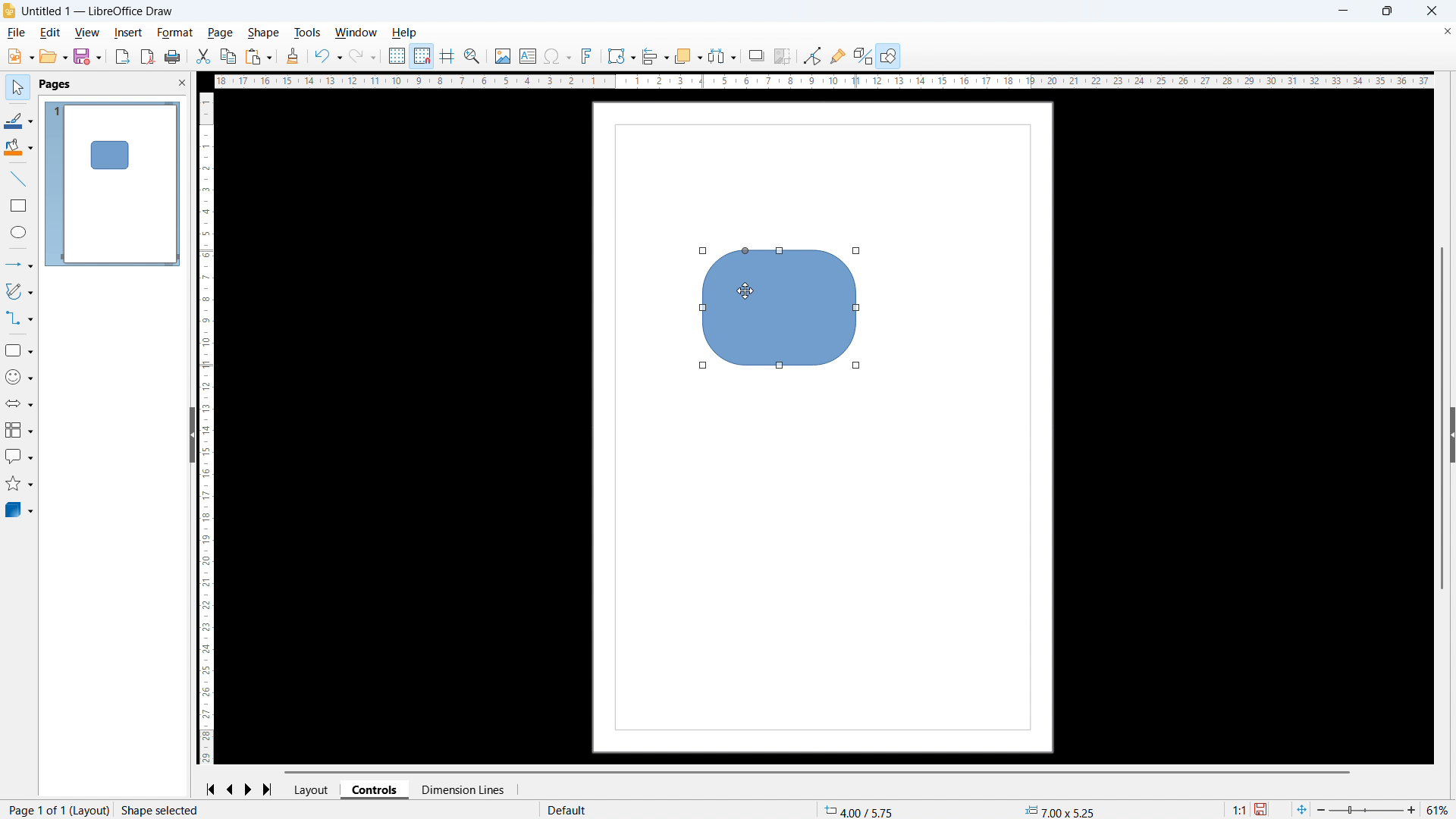 Image resolution: width=1456 pixels, height=819 pixels. I want to click on Fit to page , so click(1303, 808).